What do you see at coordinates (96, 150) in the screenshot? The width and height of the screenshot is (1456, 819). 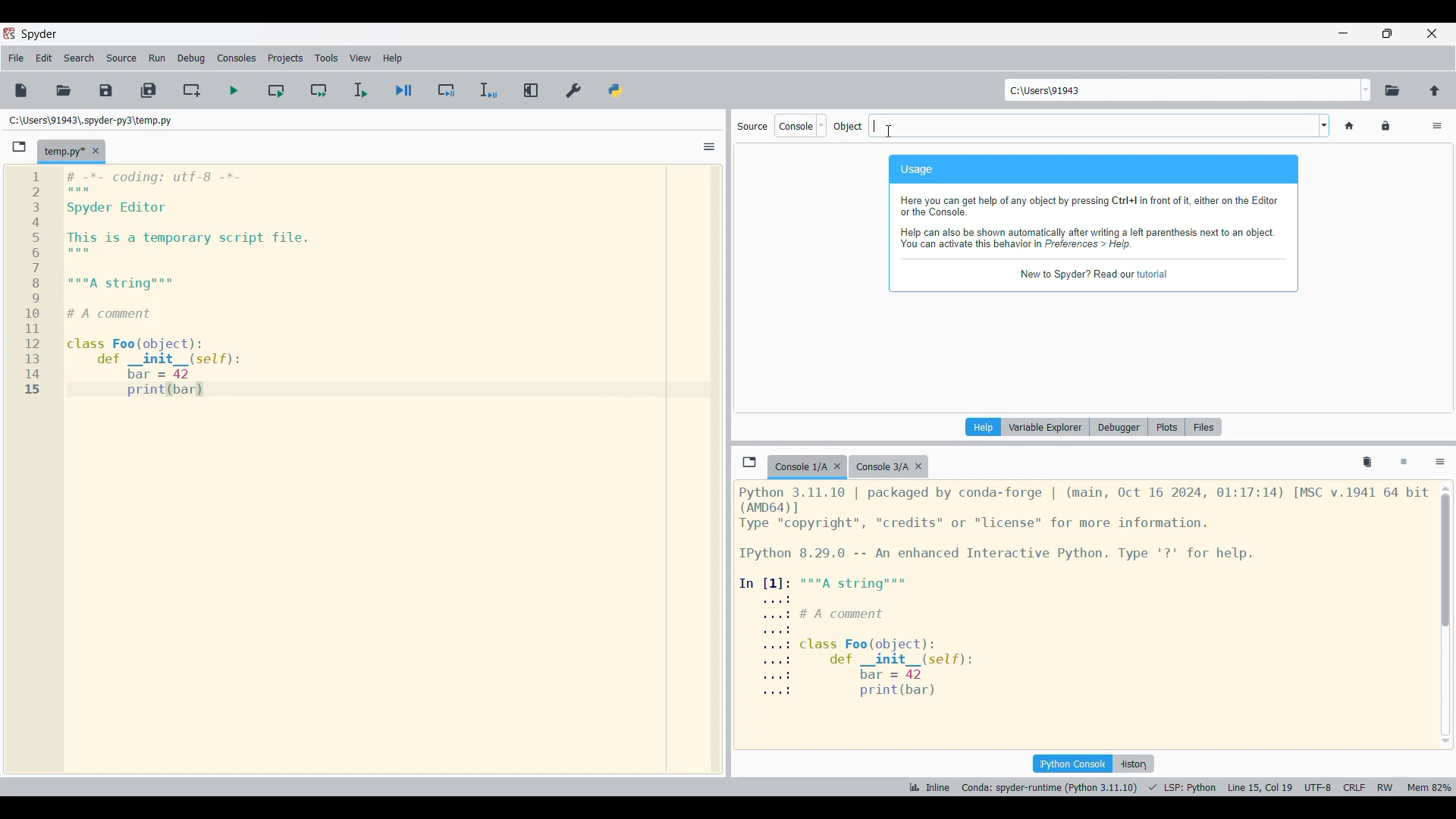 I see `Close` at bounding box center [96, 150].